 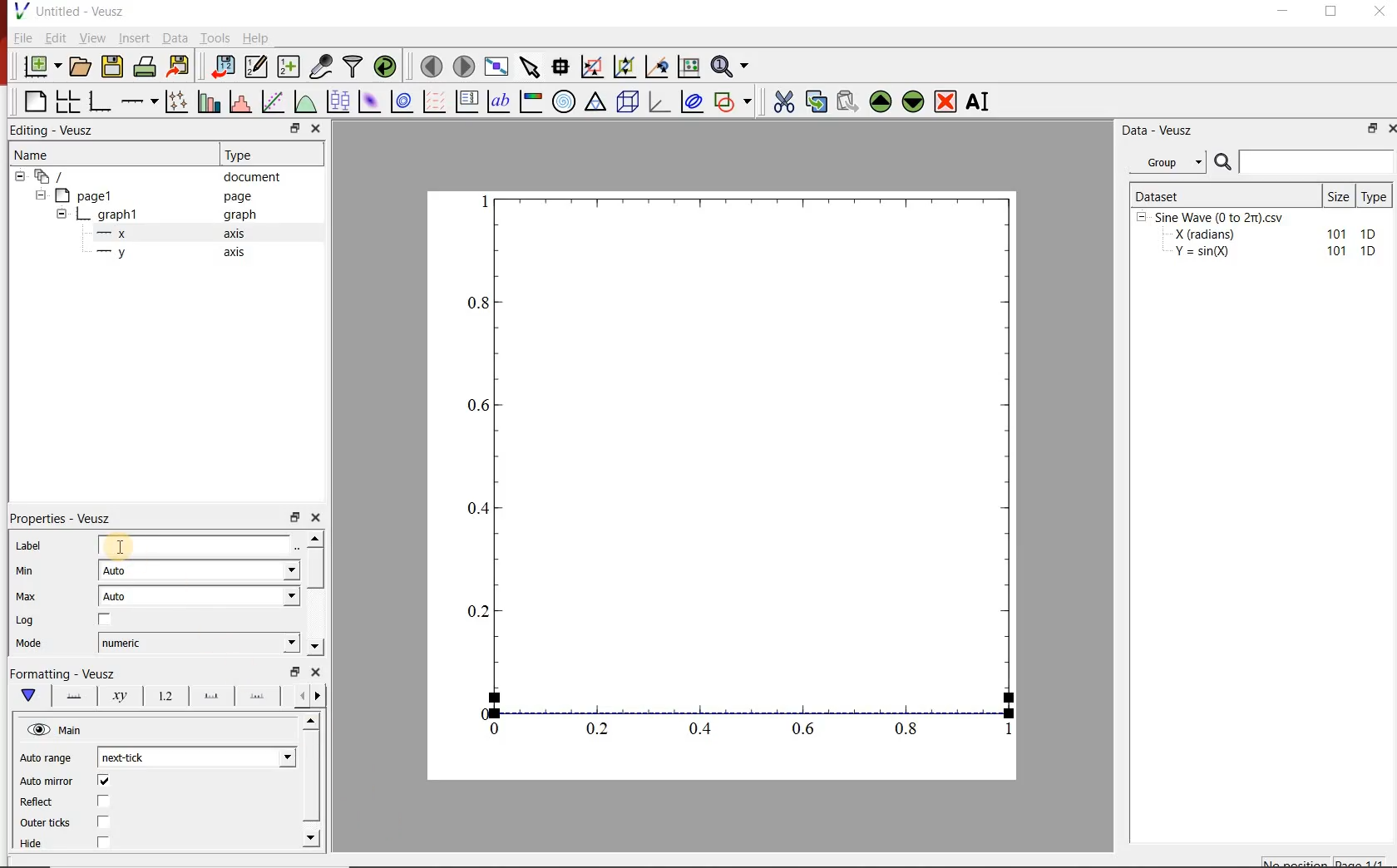 What do you see at coordinates (317, 515) in the screenshot?
I see `Close` at bounding box center [317, 515].